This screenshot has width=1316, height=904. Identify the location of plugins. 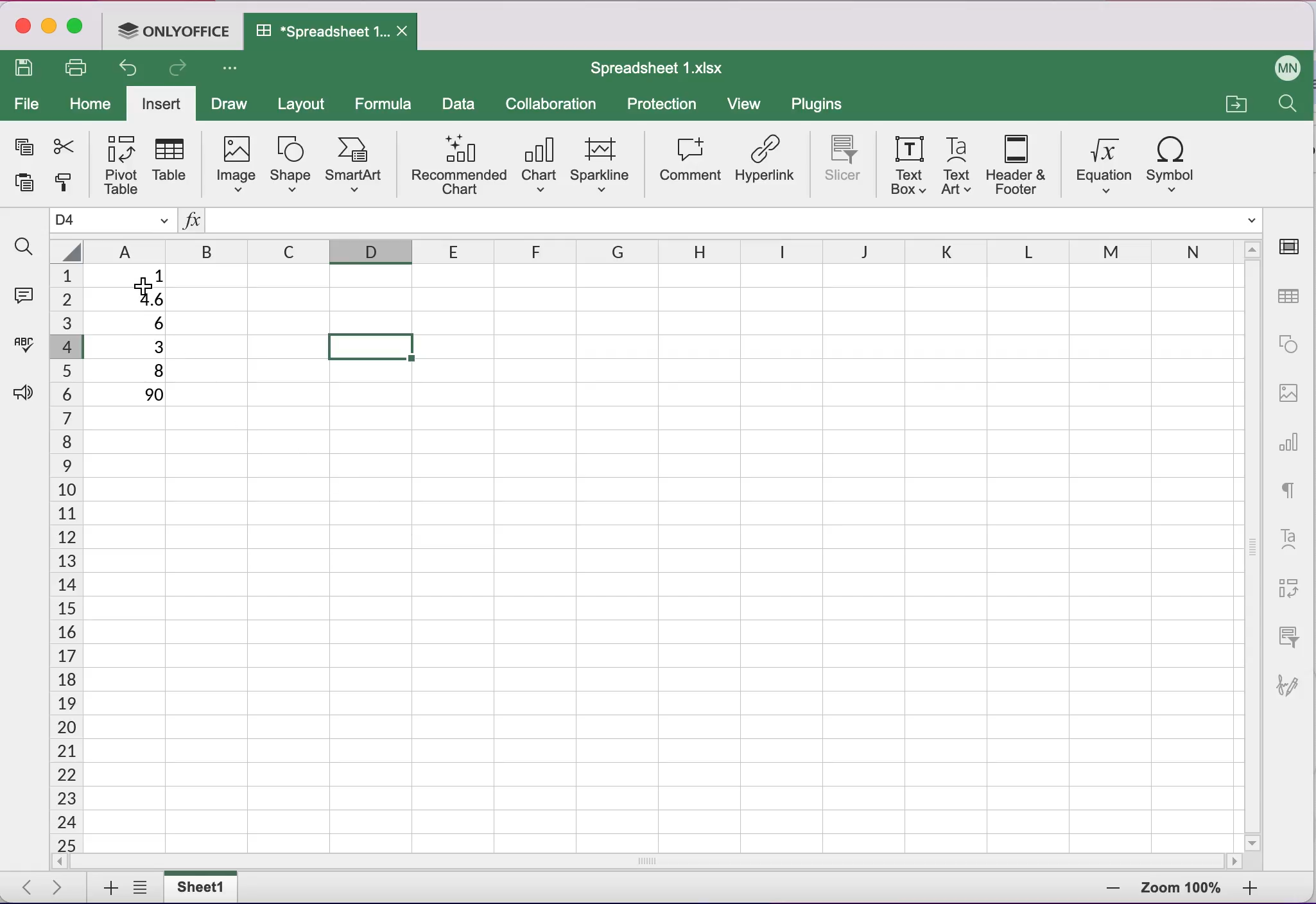
(818, 105).